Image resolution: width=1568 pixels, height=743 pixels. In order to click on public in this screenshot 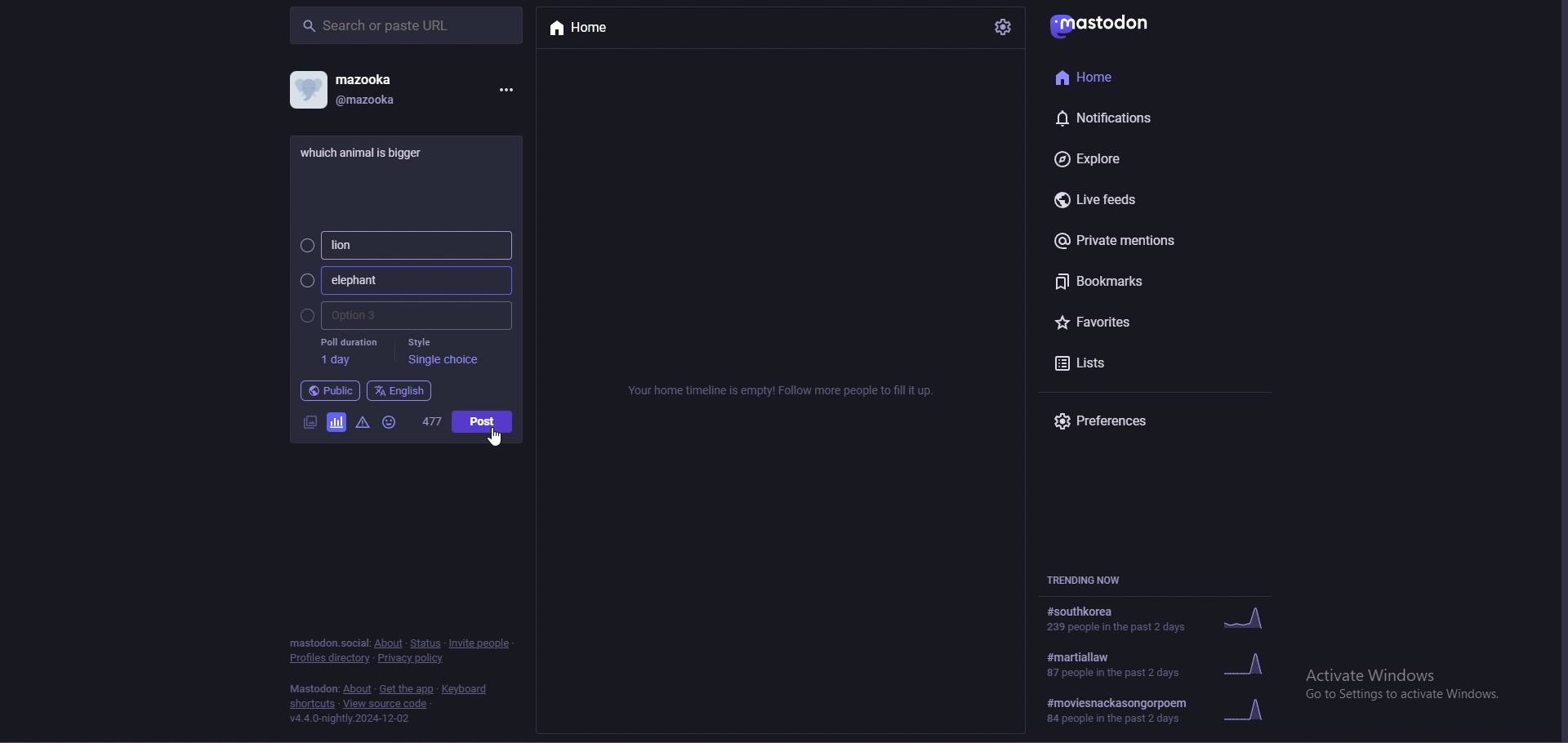, I will do `click(329, 391)`.